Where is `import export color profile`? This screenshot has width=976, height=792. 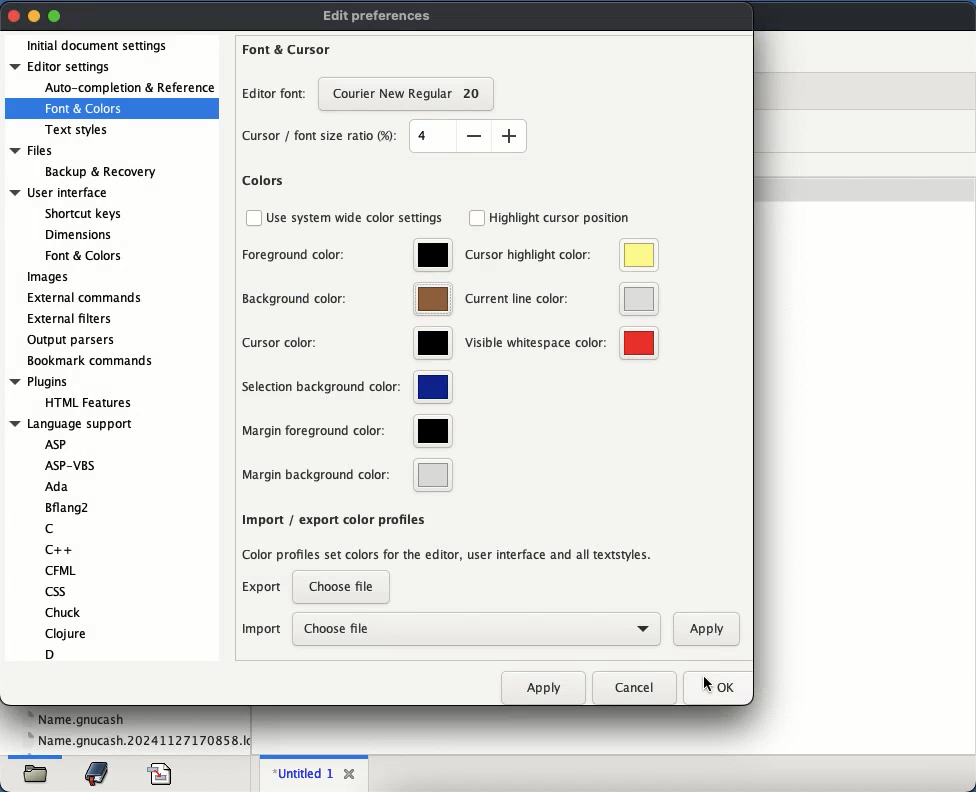 import export color profile is located at coordinates (452, 539).